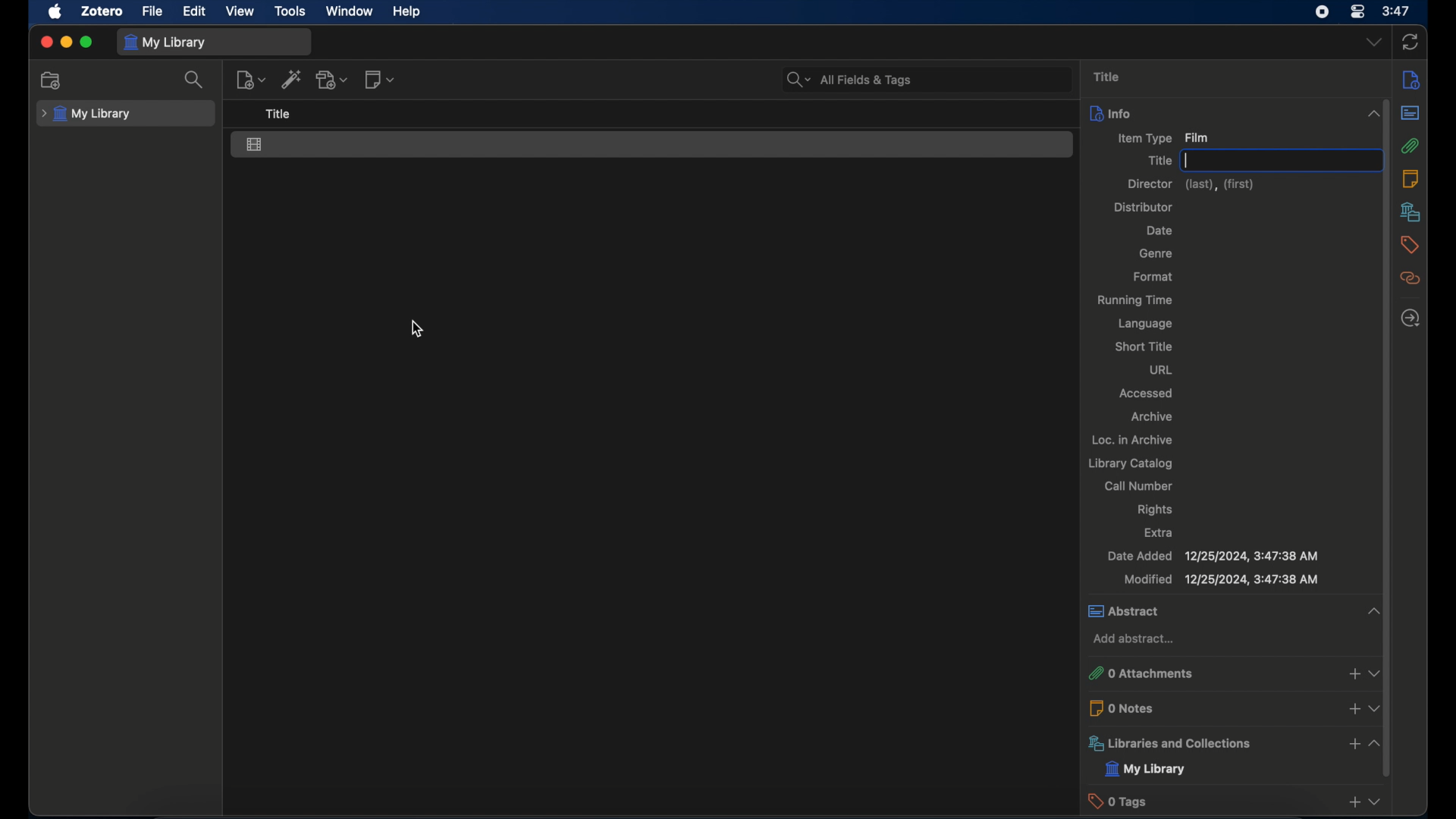 This screenshot has width=1456, height=819. Describe the element at coordinates (1210, 555) in the screenshot. I see `date added` at that location.